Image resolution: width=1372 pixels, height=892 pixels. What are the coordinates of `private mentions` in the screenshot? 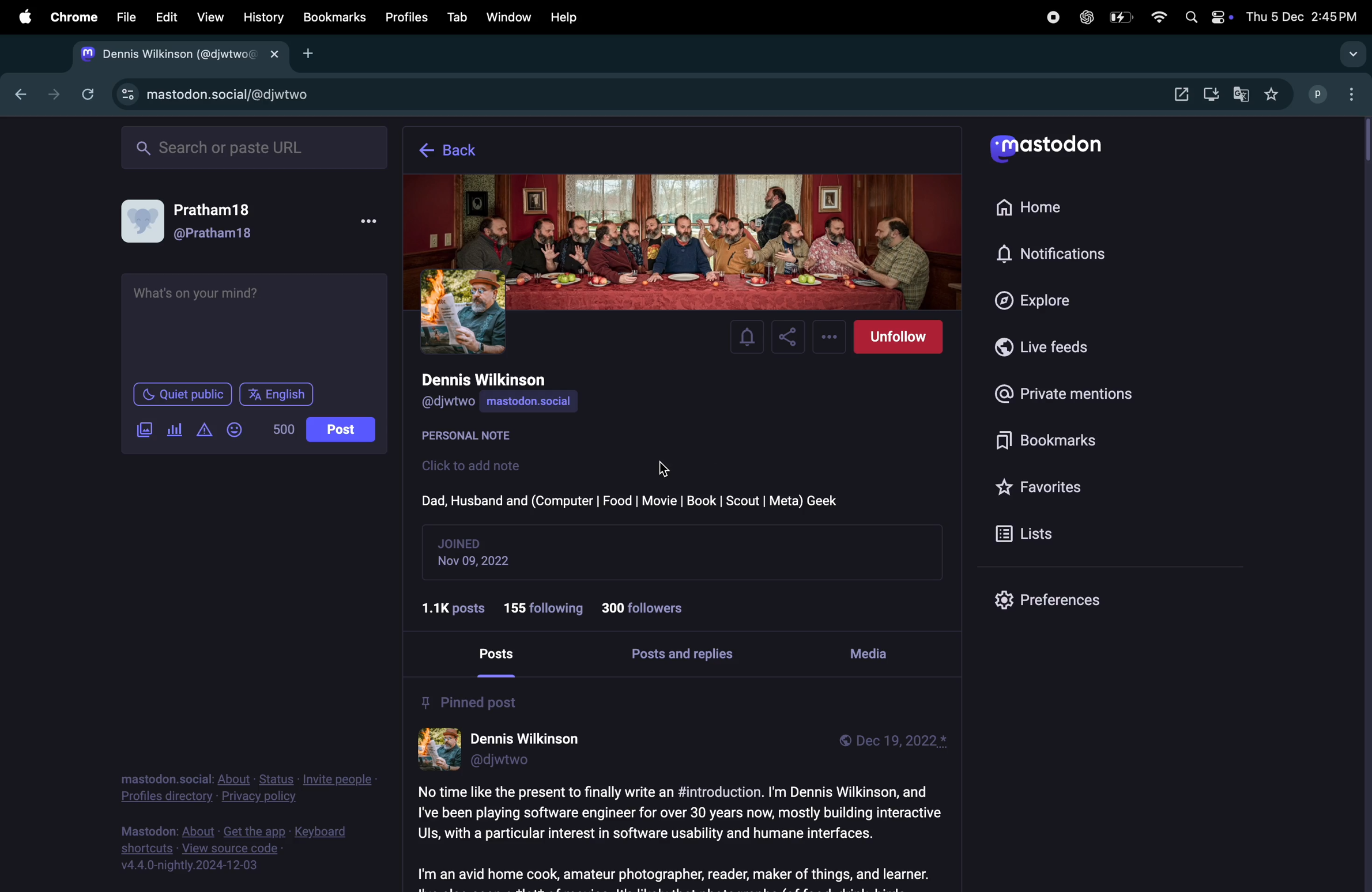 It's located at (1069, 396).